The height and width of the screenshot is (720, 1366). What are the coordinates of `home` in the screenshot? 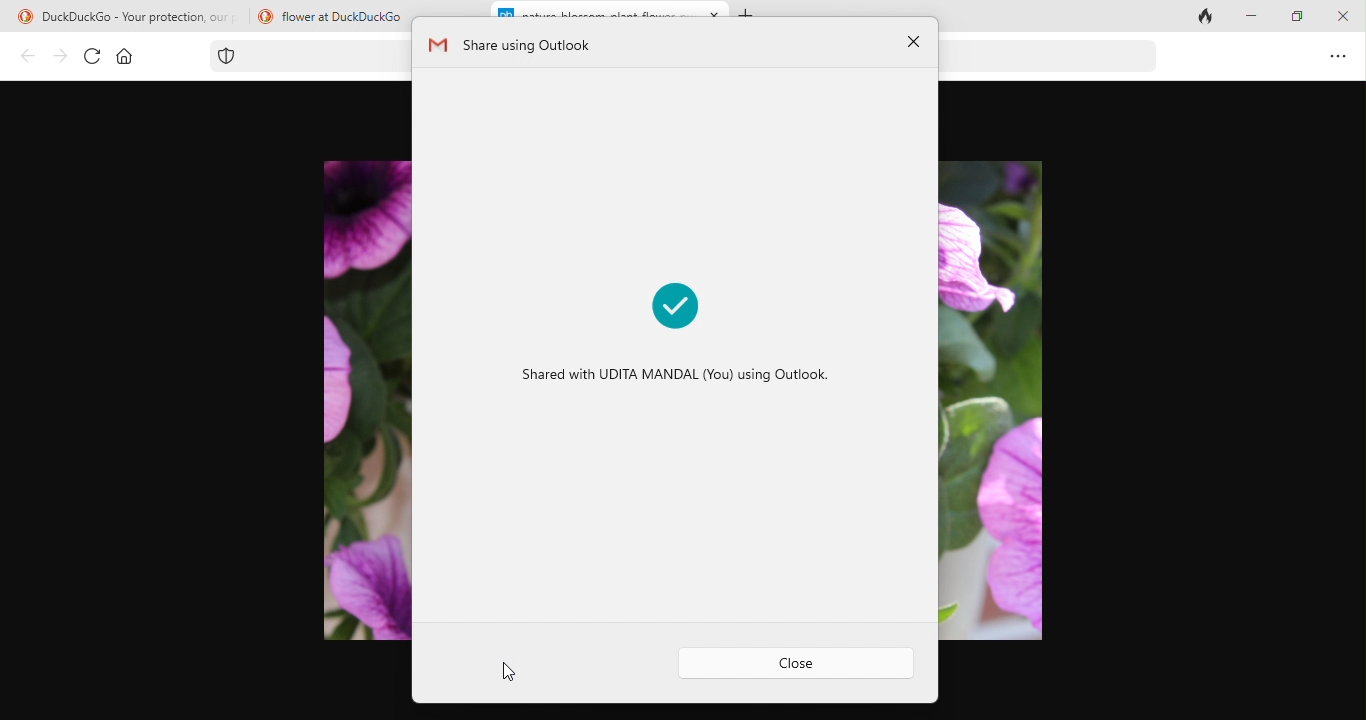 It's located at (125, 57).